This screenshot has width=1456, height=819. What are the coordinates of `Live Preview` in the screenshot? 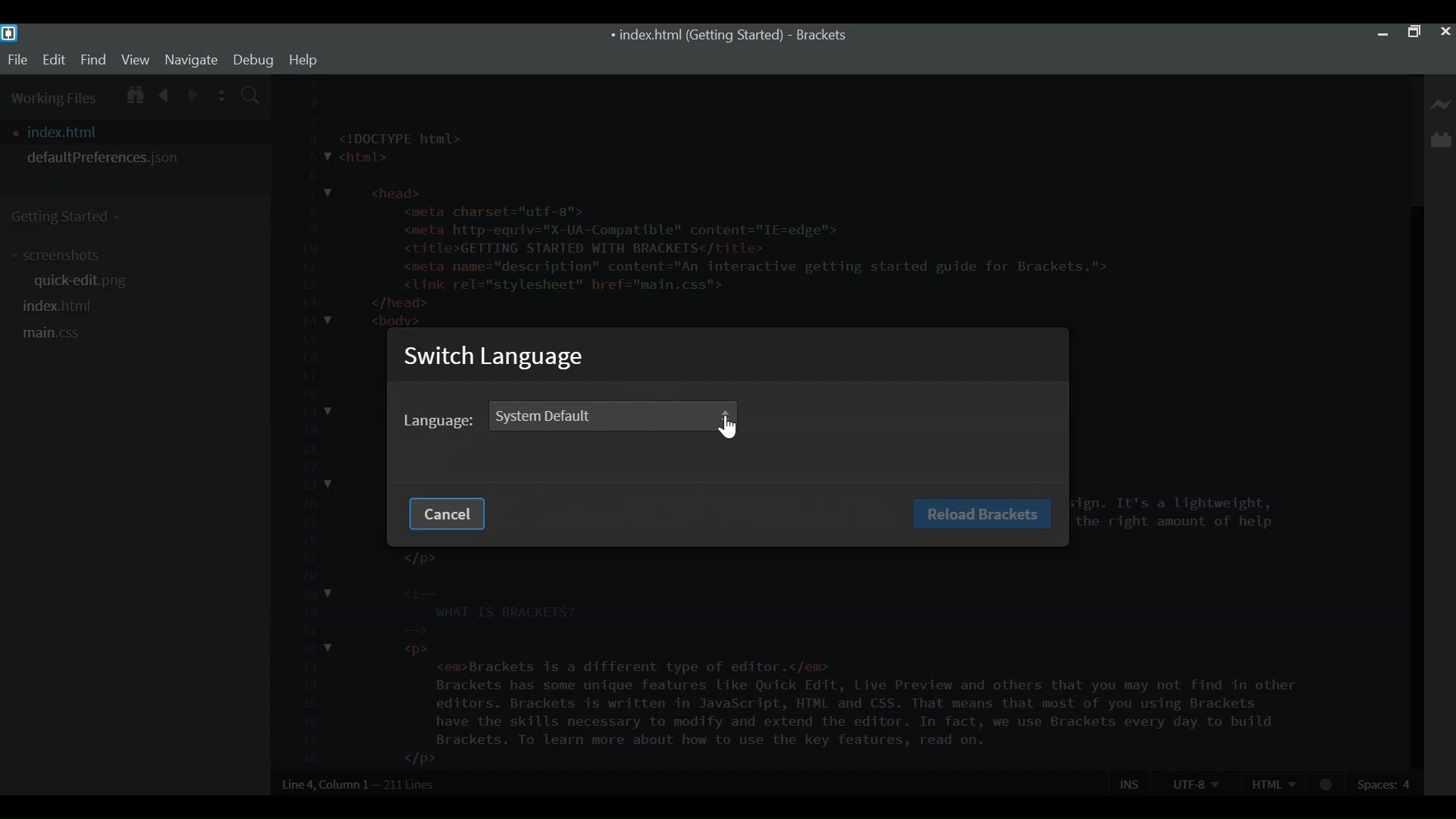 It's located at (1442, 105).